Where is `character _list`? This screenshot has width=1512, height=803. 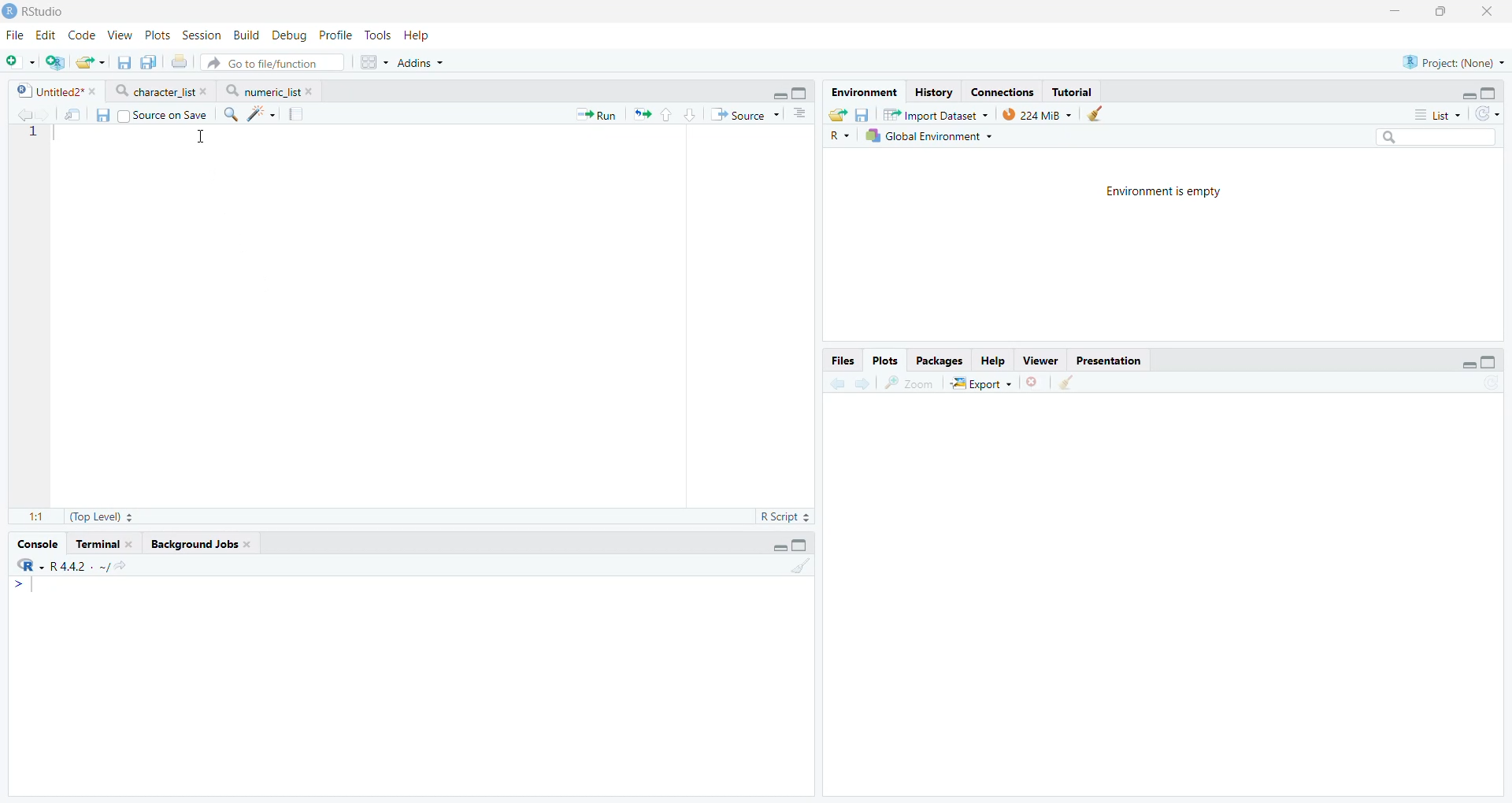 character _list is located at coordinates (159, 91).